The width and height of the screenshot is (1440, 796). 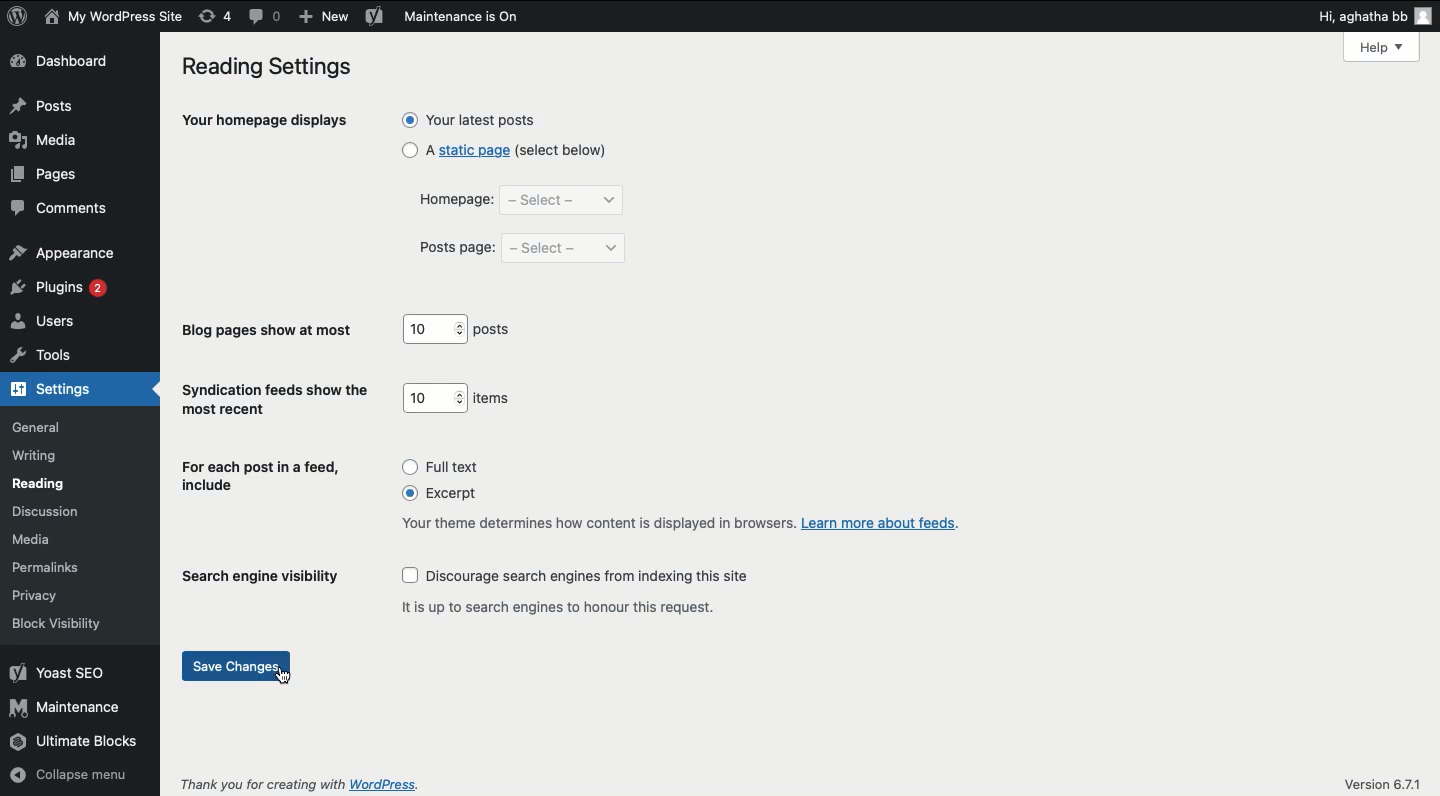 What do you see at coordinates (45, 176) in the screenshot?
I see `pages` at bounding box center [45, 176].